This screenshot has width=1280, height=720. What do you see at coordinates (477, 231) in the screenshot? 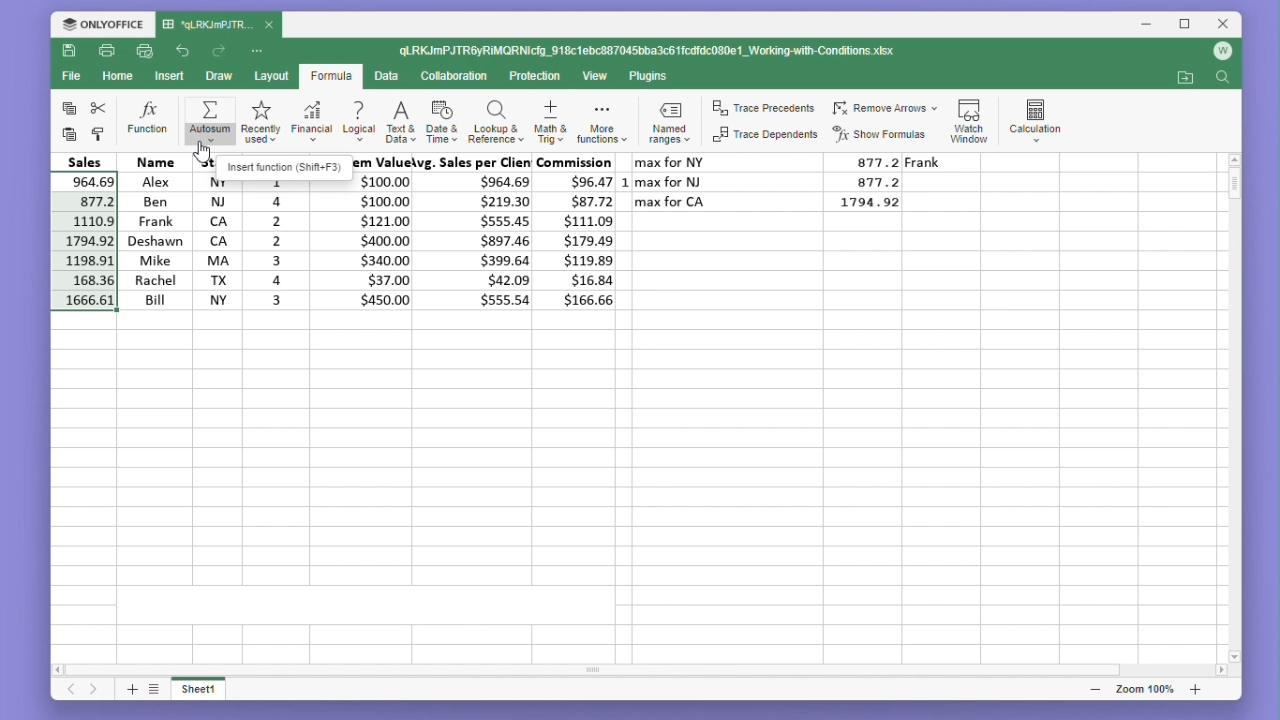
I see `avg. sales per client` at bounding box center [477, 231].